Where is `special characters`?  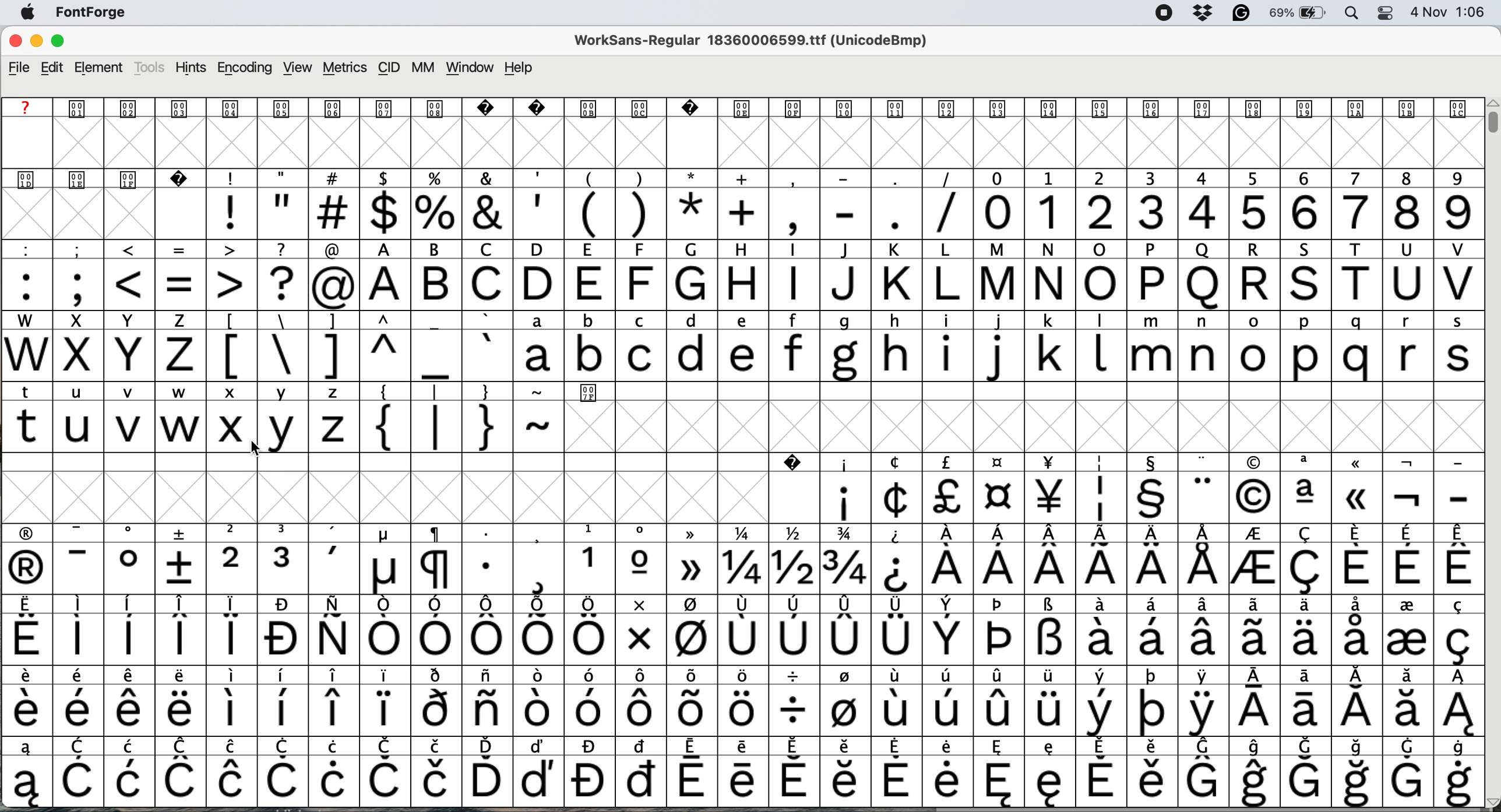
special characters is located at coordinates (745, 745).